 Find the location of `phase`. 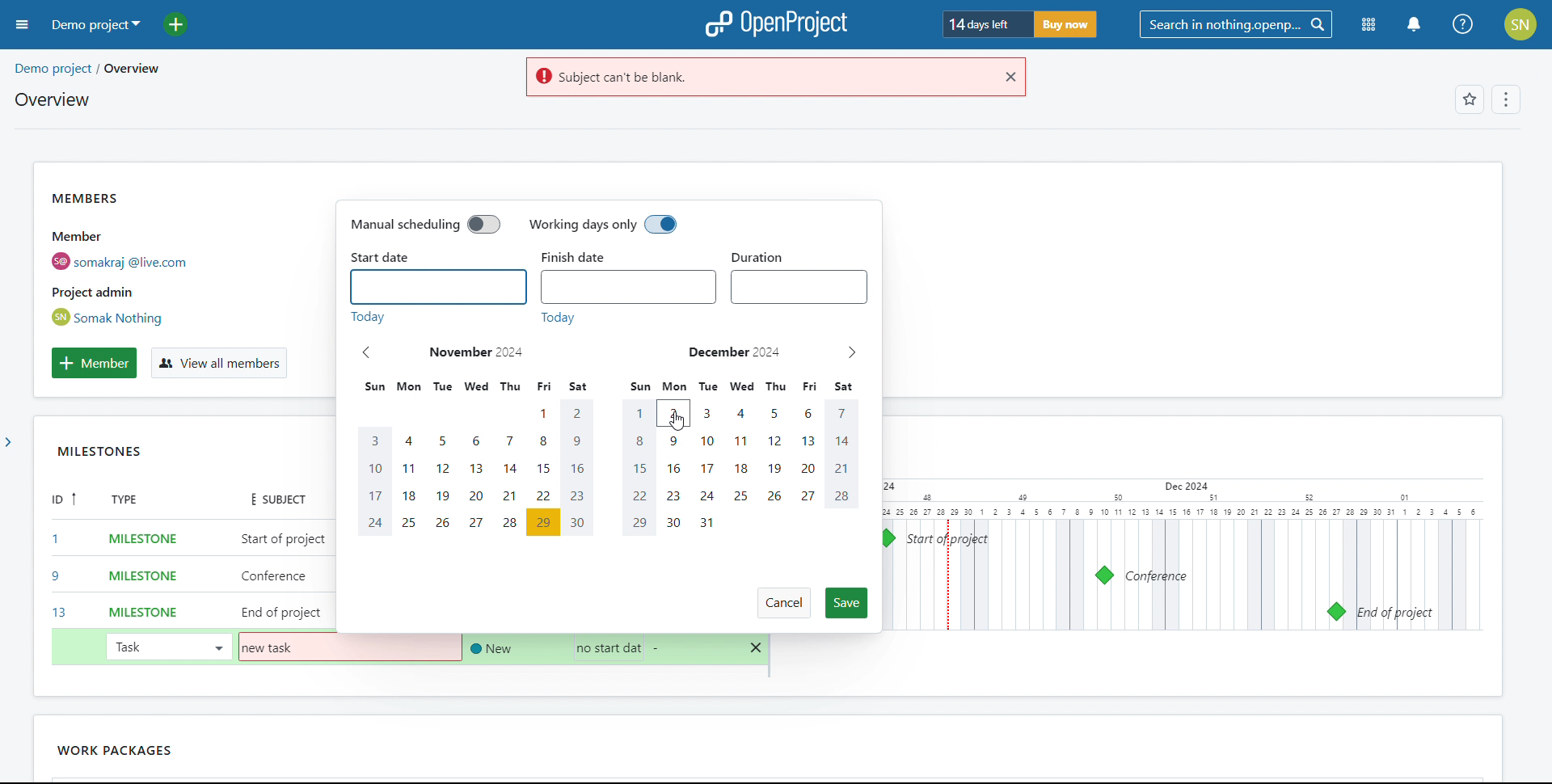

phase is located at coordinates (168, 747).